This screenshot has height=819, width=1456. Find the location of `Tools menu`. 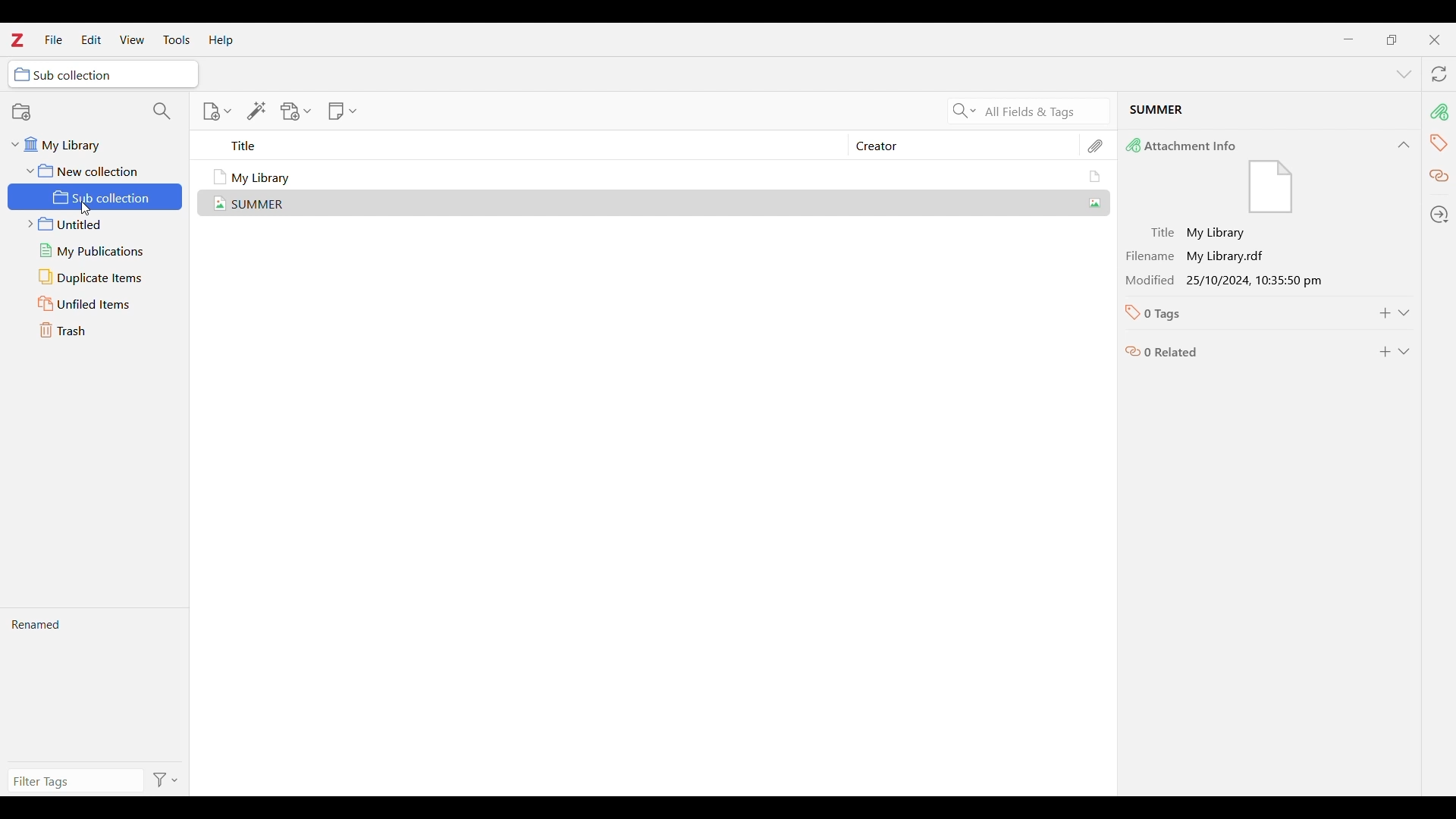

Tools menu is located at coordinates (177, 39).